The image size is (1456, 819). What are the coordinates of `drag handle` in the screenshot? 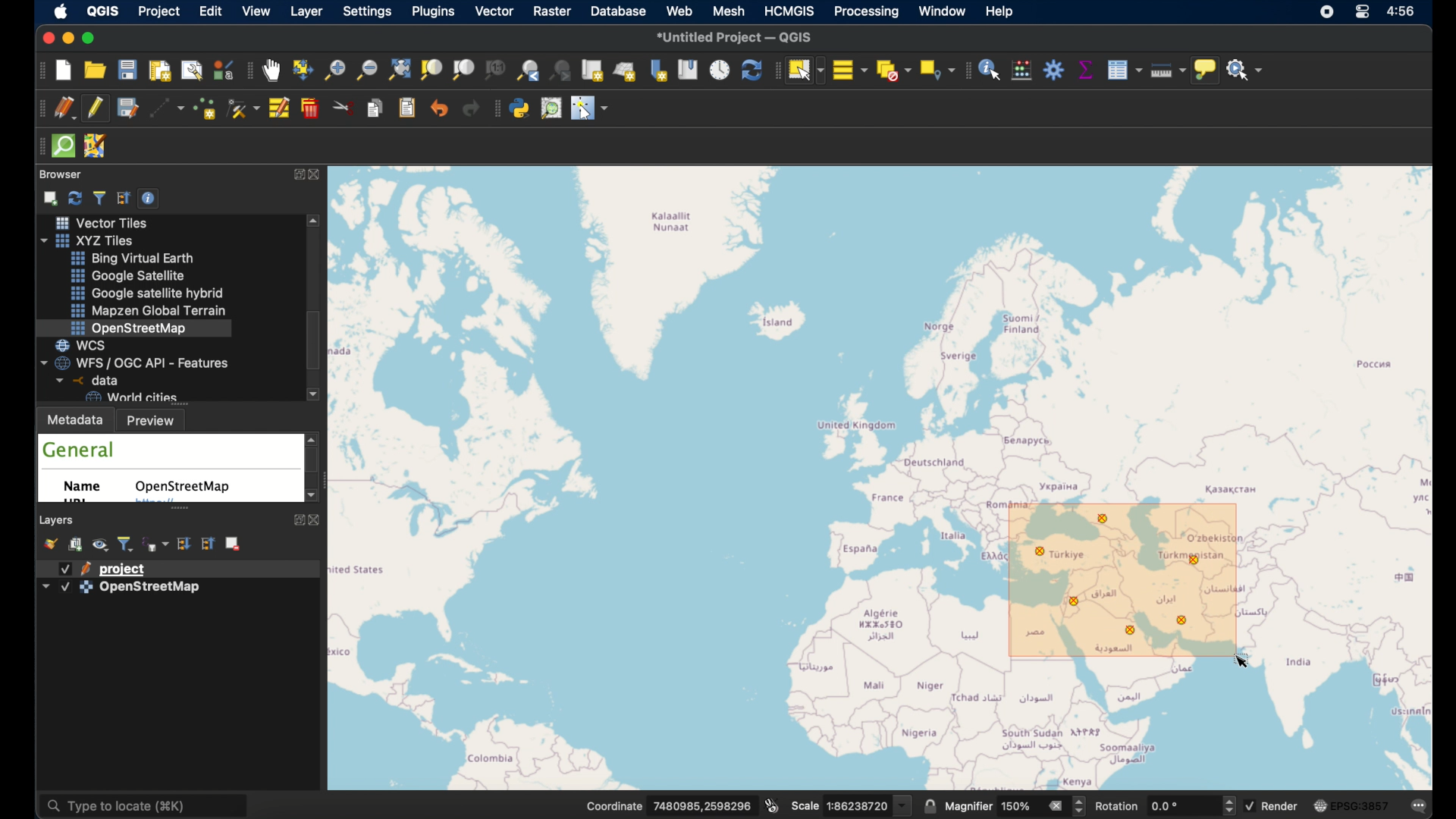 It's located at (39, 146).